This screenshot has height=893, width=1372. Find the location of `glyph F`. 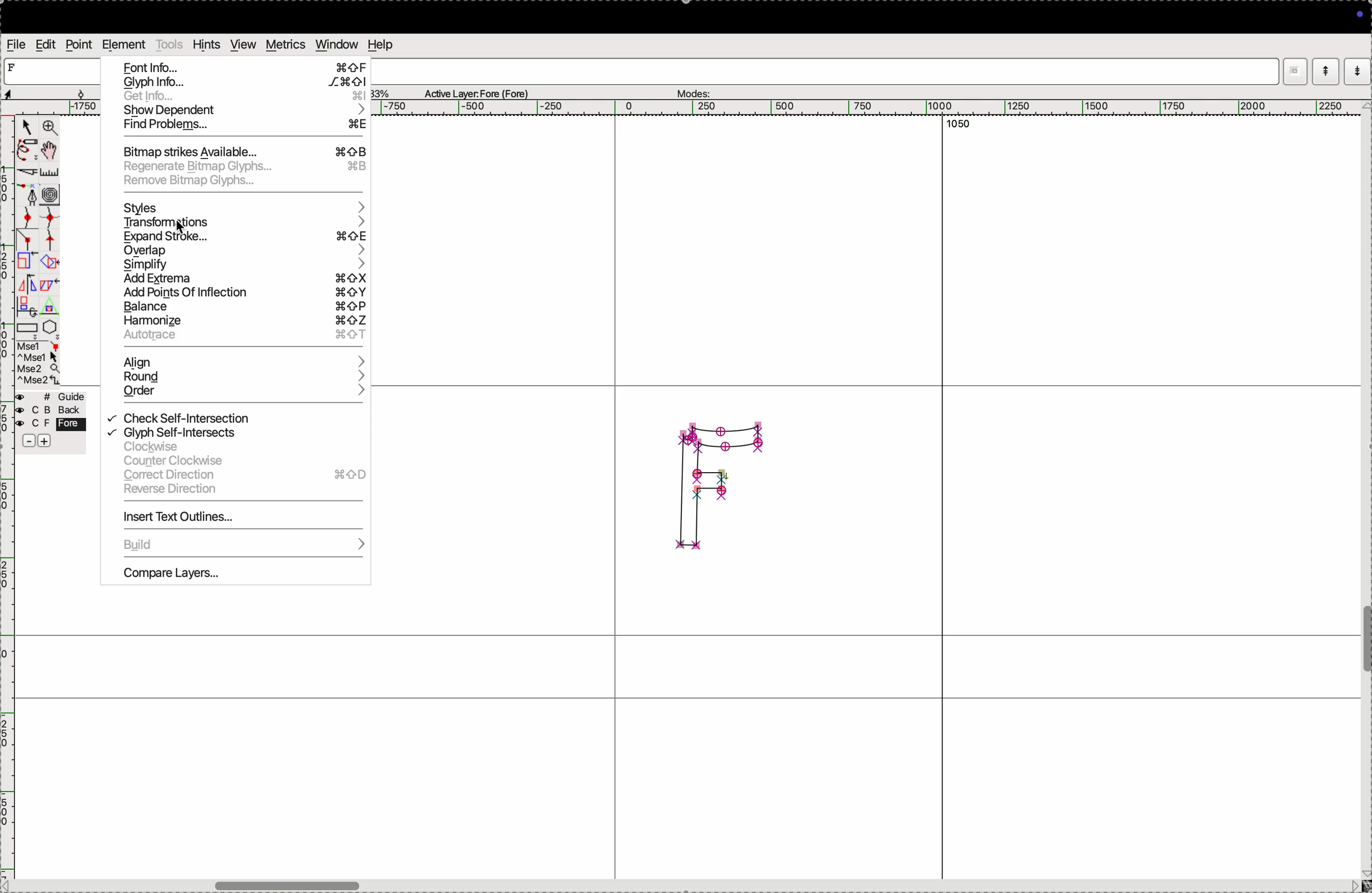

glyph F is located at coordinates (718, 485).